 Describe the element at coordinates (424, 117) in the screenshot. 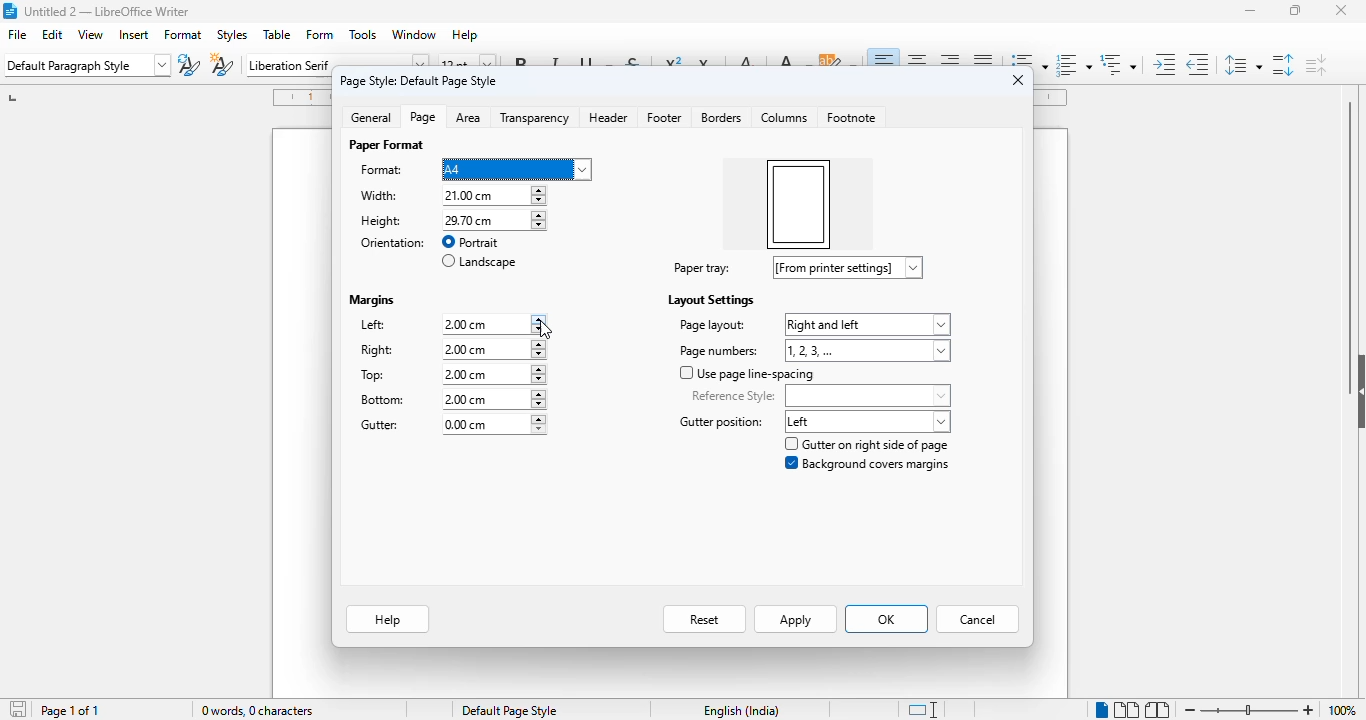

I see `page` at that location.